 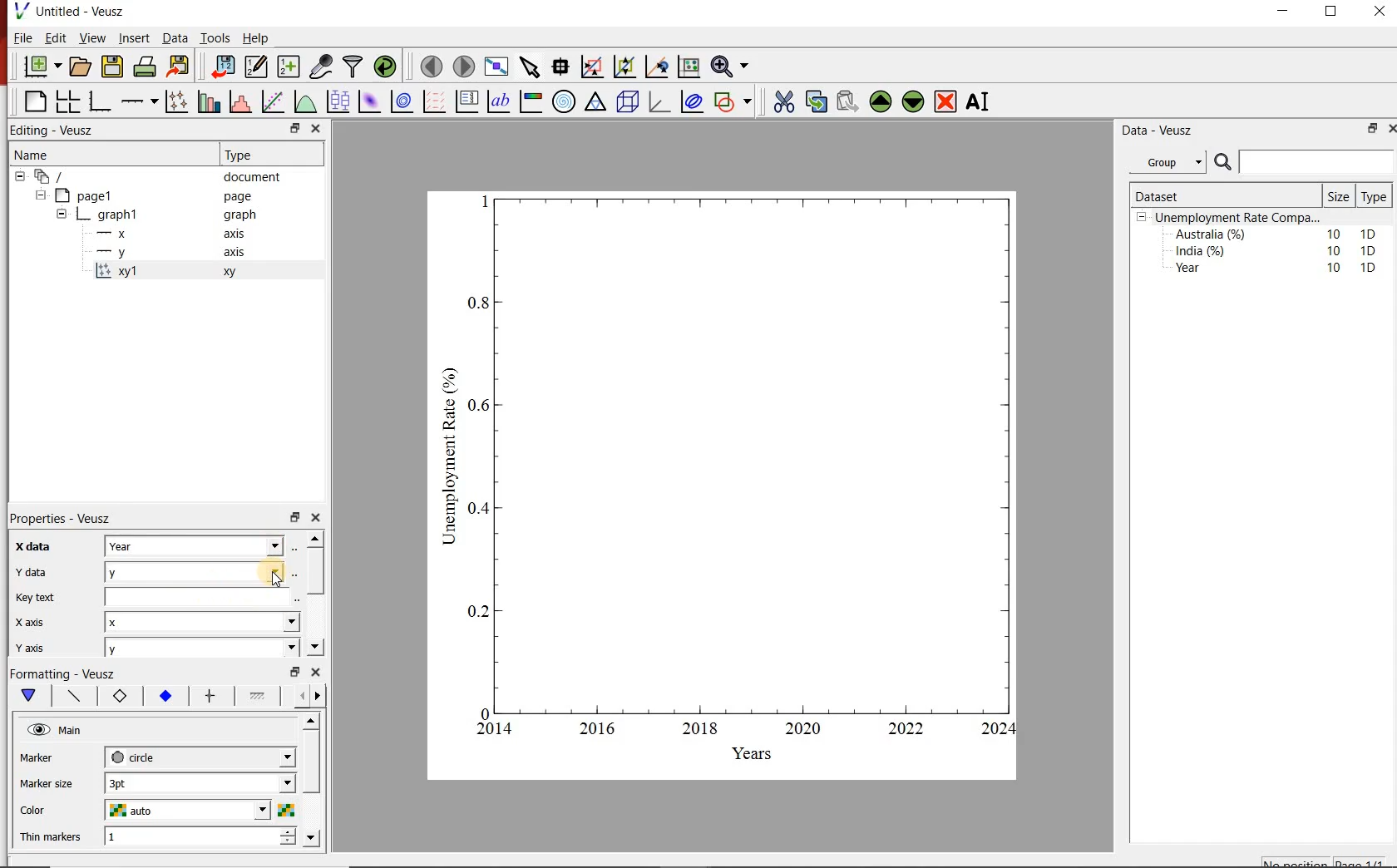 I want to click on base graphs, so click(x=101, y=101).